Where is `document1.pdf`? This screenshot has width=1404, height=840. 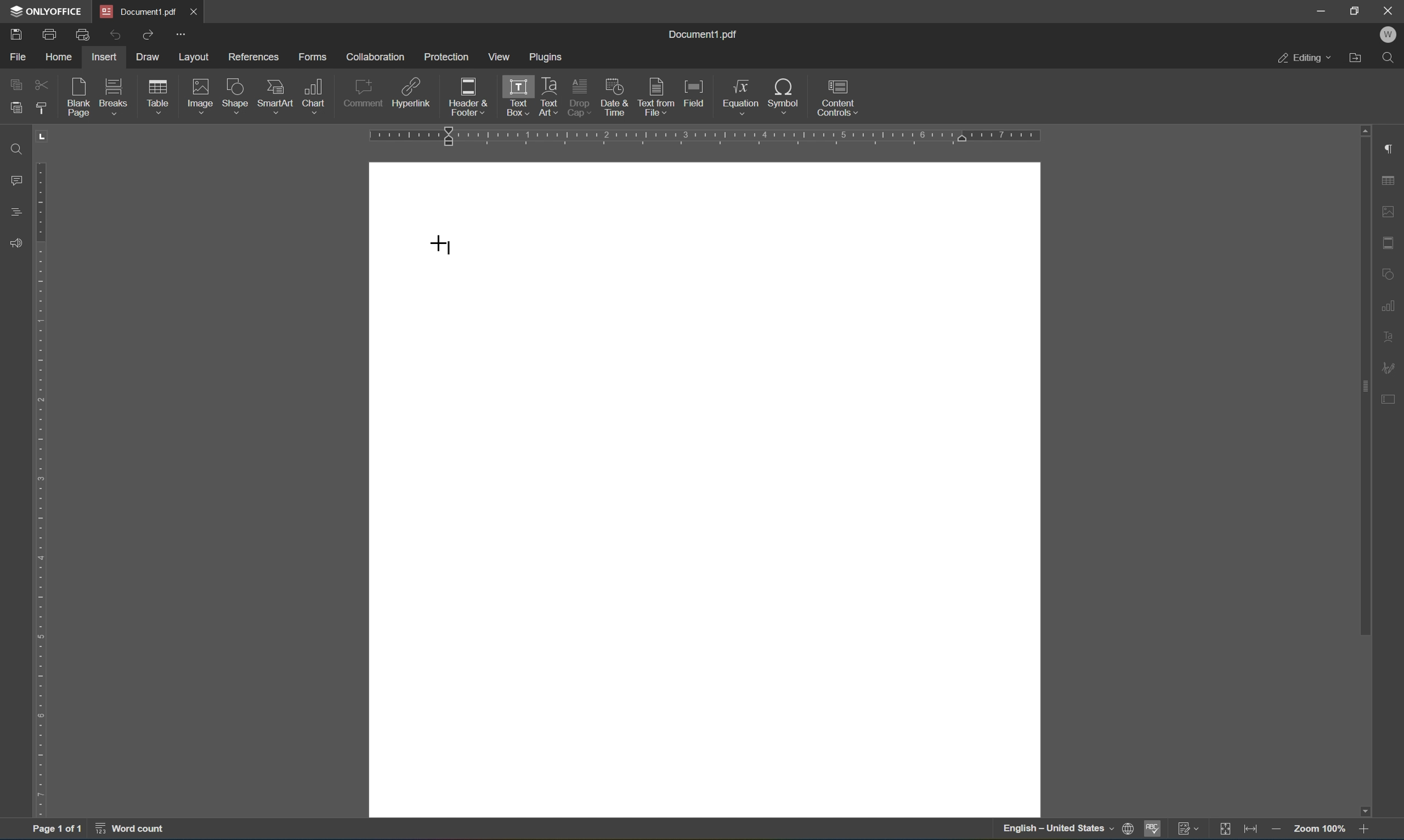
document1.pdf is located at coordinates (702, 35).